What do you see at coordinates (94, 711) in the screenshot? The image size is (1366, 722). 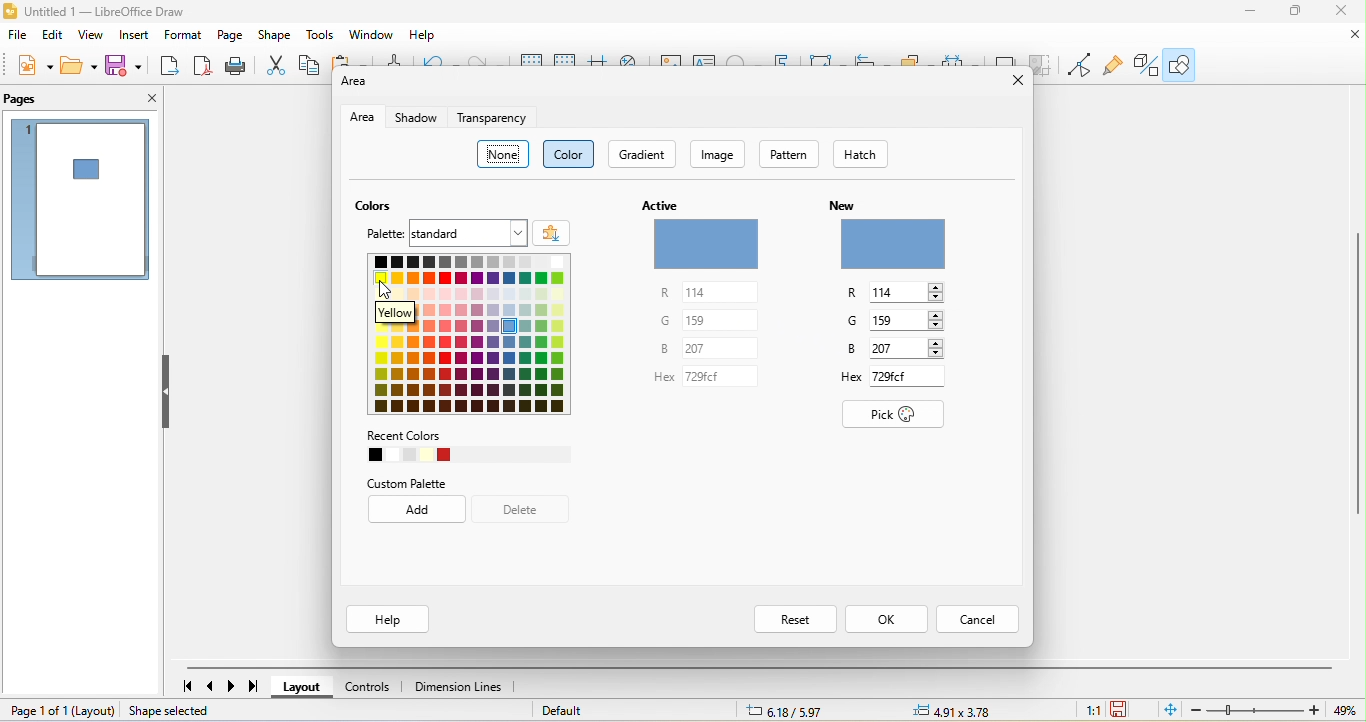 I see `layout` at bounding box center [94, 711].